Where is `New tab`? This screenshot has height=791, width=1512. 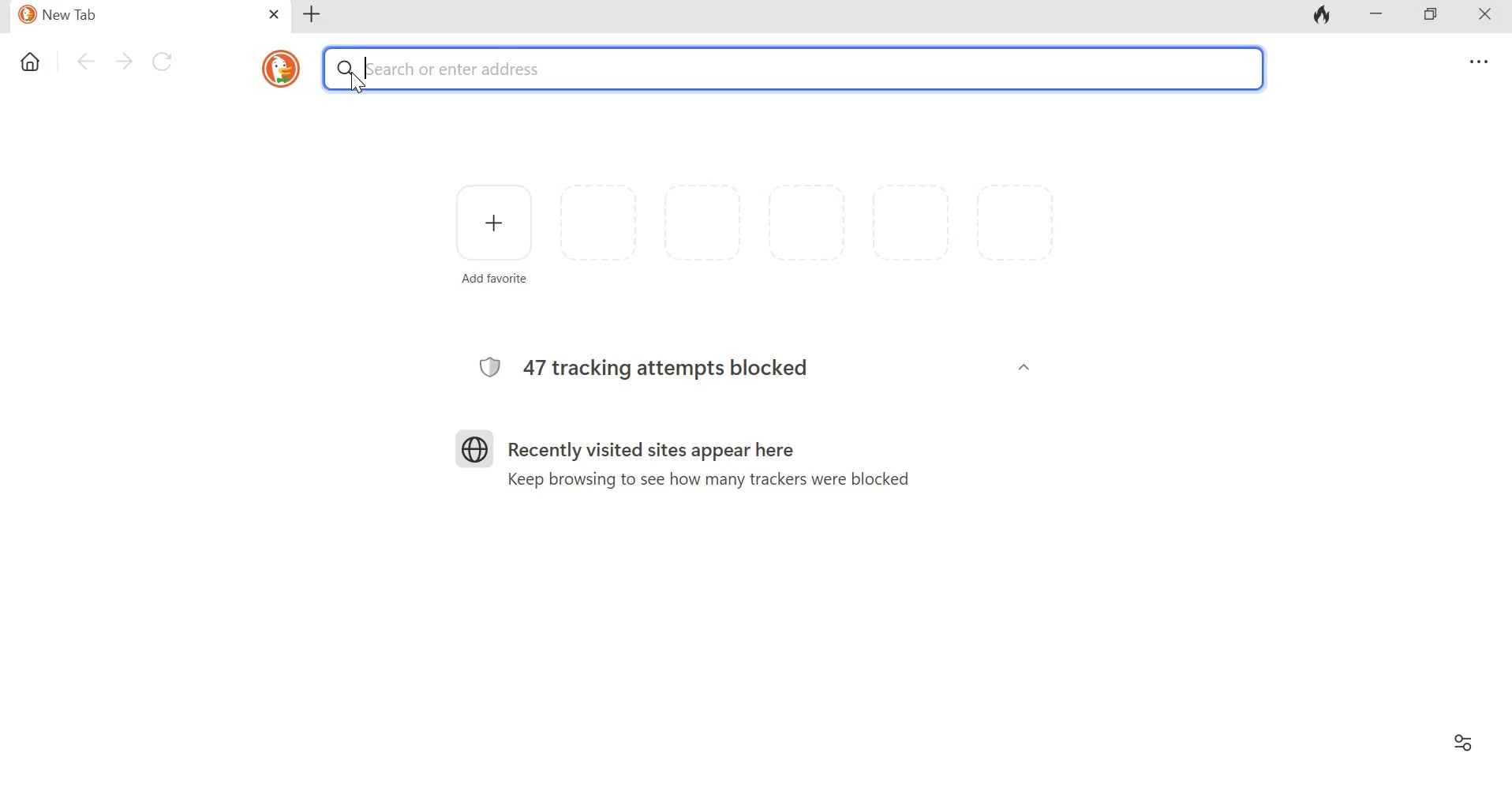
New tab is located at coordinates (316, 16).